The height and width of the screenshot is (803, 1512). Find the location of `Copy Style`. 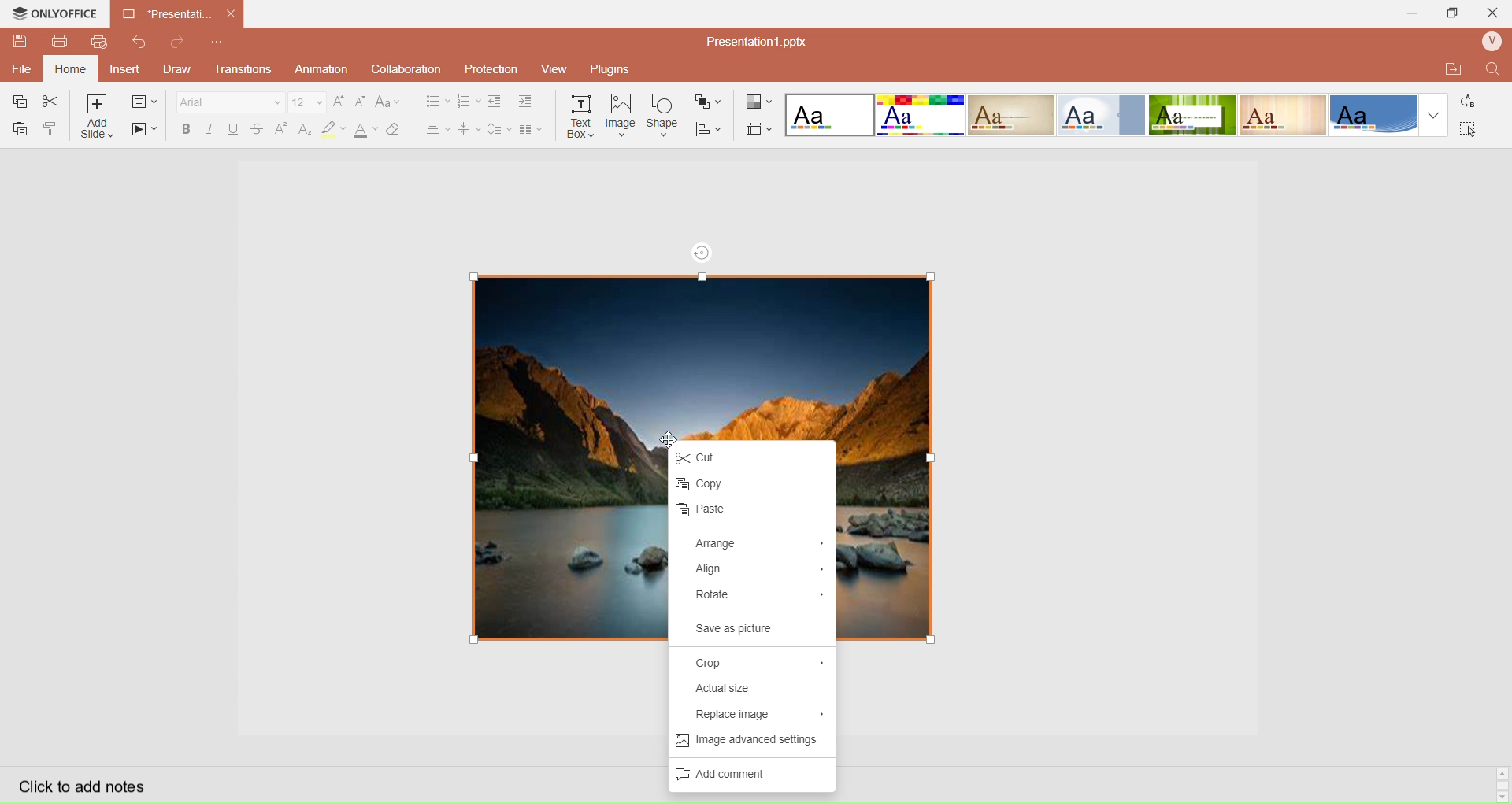

Copy Style is located at coordinates (56, 130).